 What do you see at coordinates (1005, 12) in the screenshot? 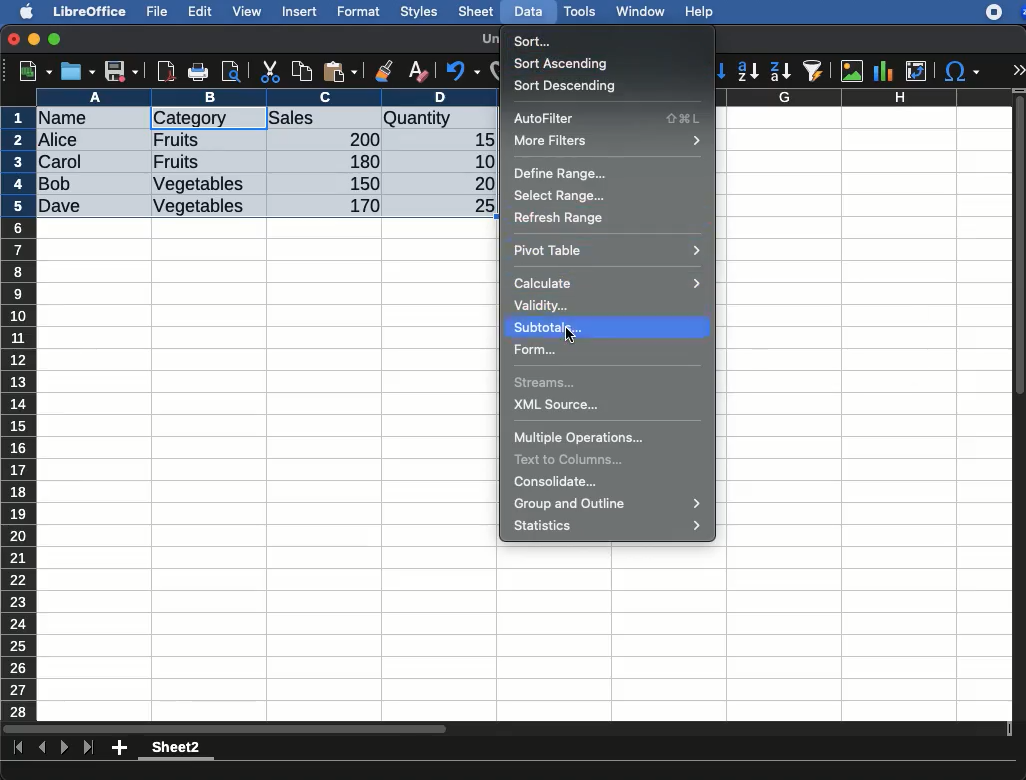
I see `extensions` at bounding box center [1005, 12].